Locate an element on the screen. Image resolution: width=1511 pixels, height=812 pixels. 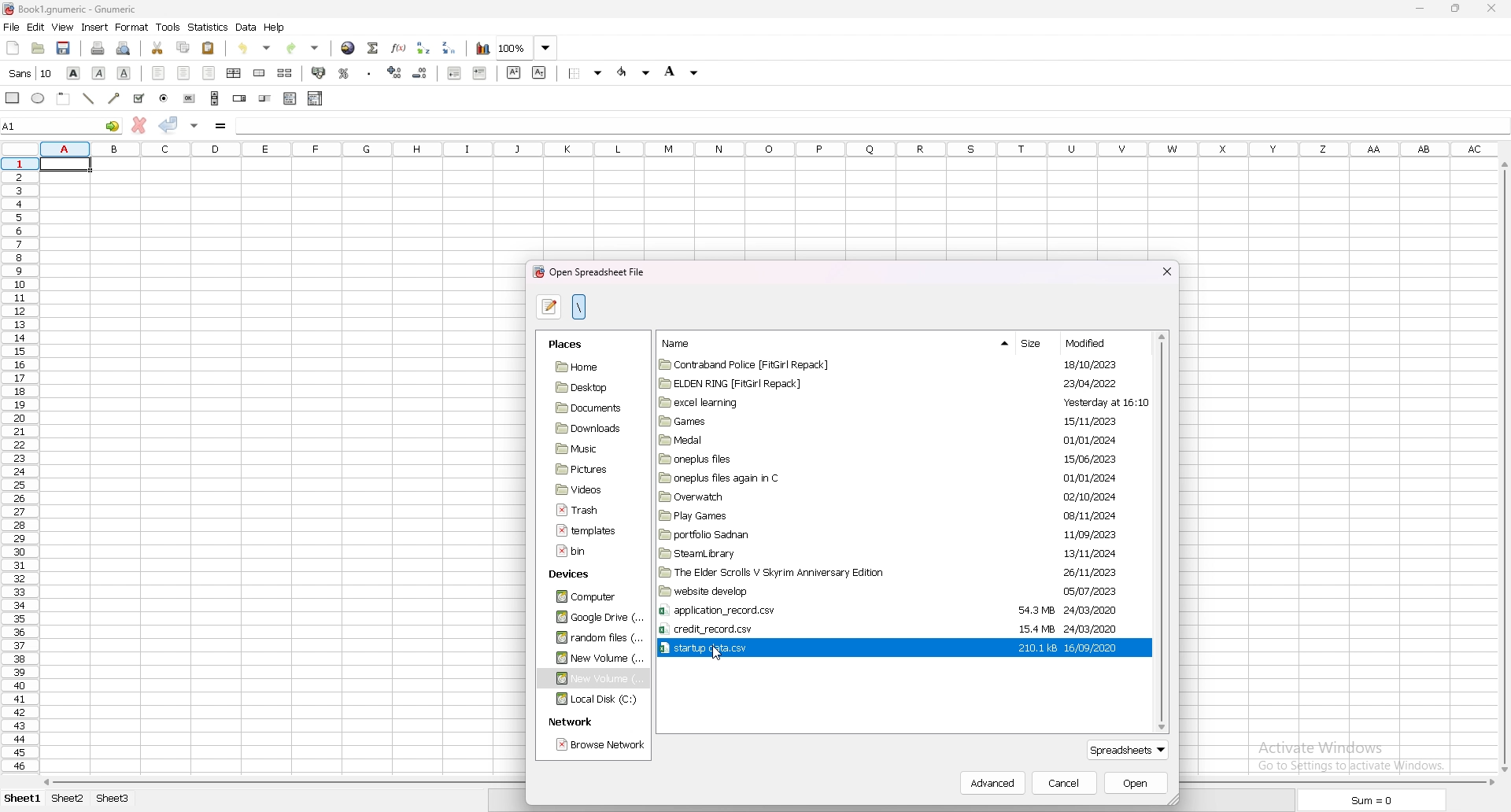
list is located at coordinates (290, 99).